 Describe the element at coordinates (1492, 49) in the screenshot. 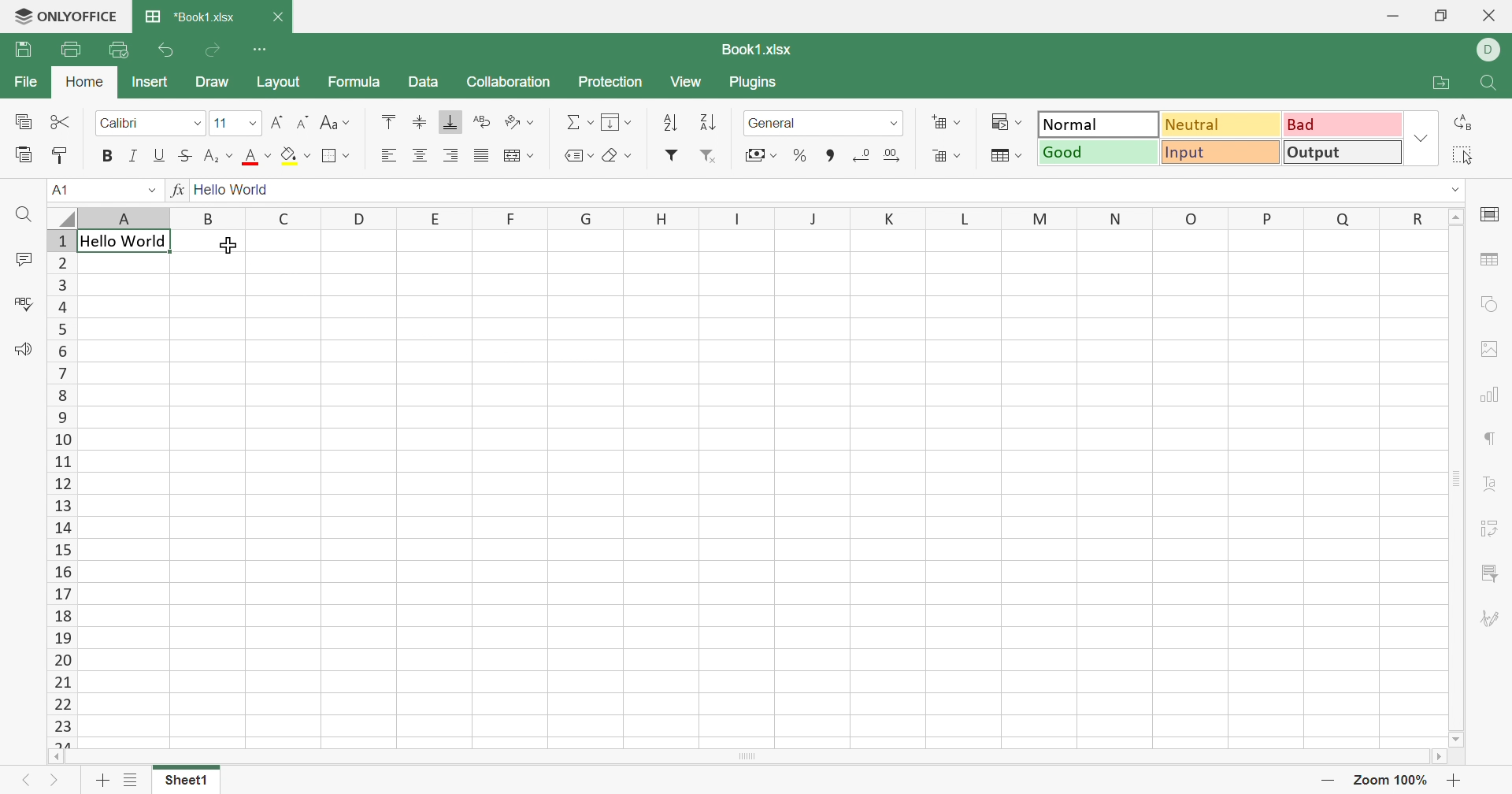

I see `ELL` at that location.